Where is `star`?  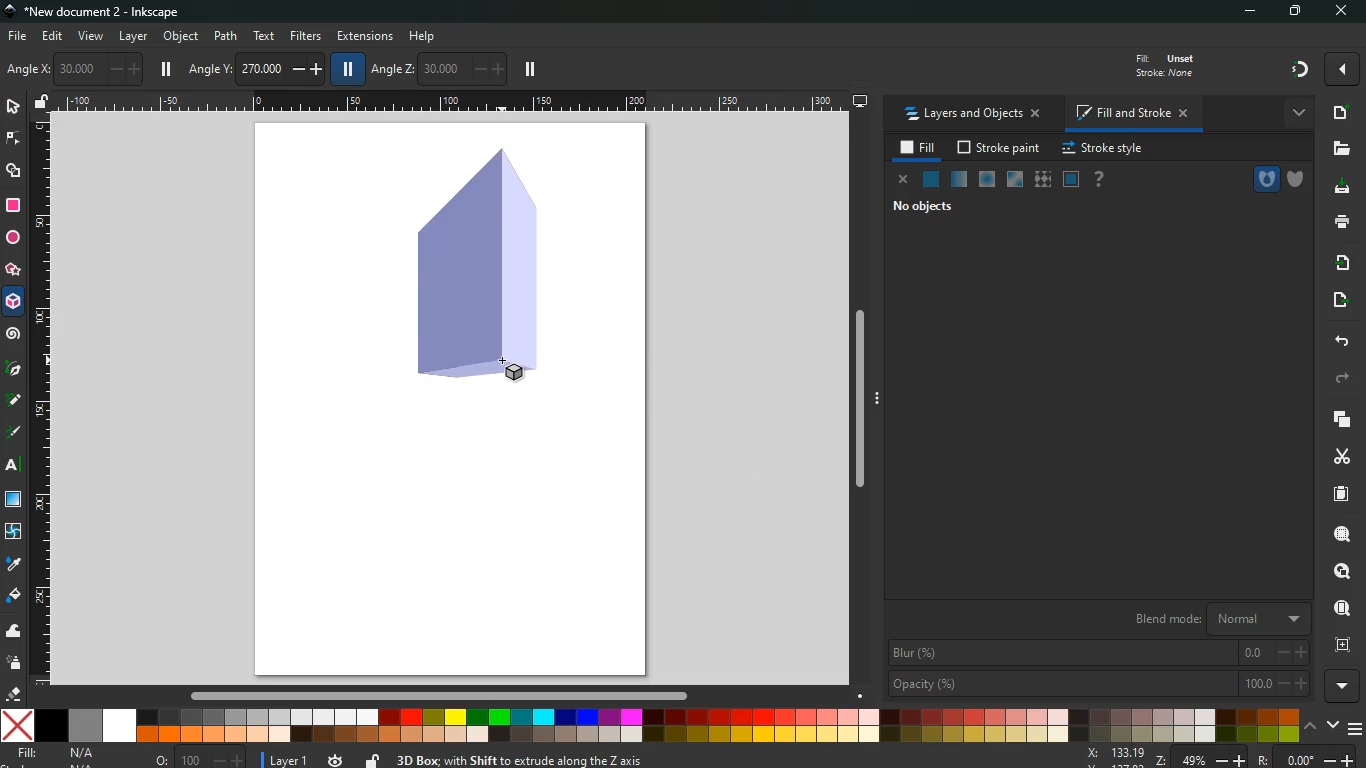 star is located at coordinates (12, 272).